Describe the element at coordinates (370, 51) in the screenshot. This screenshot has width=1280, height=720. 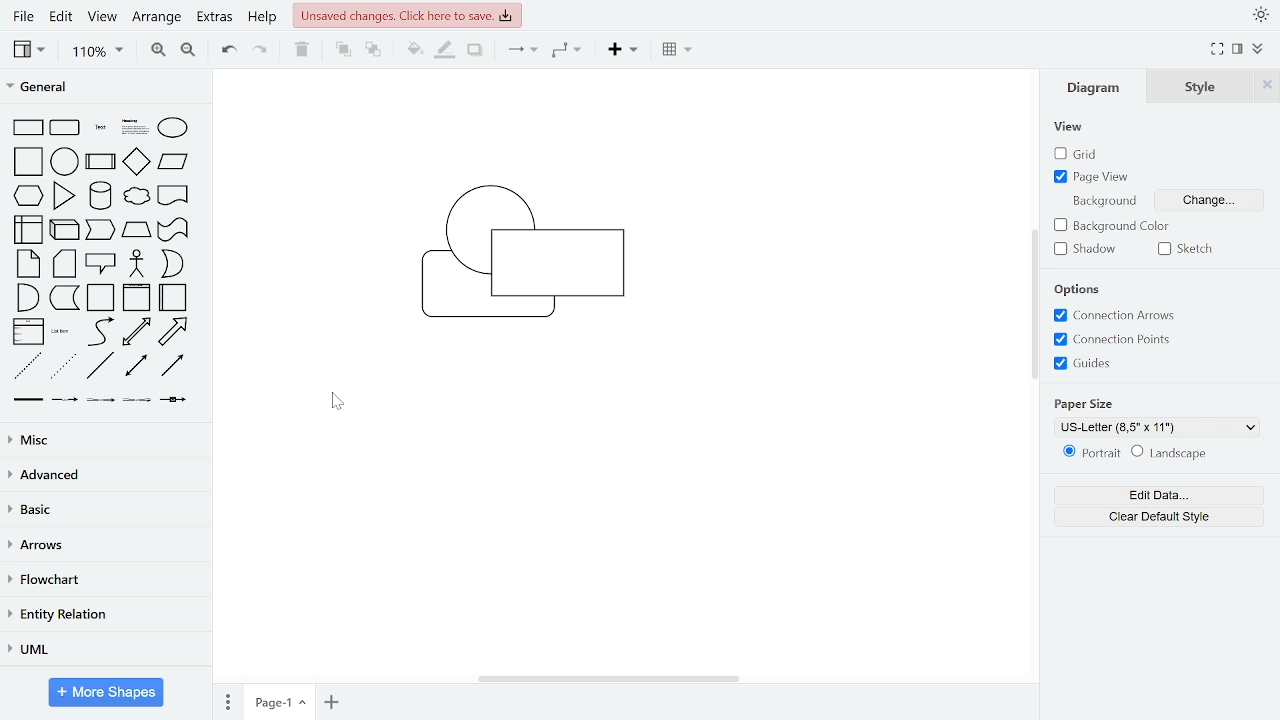
I see `to back` at that location.